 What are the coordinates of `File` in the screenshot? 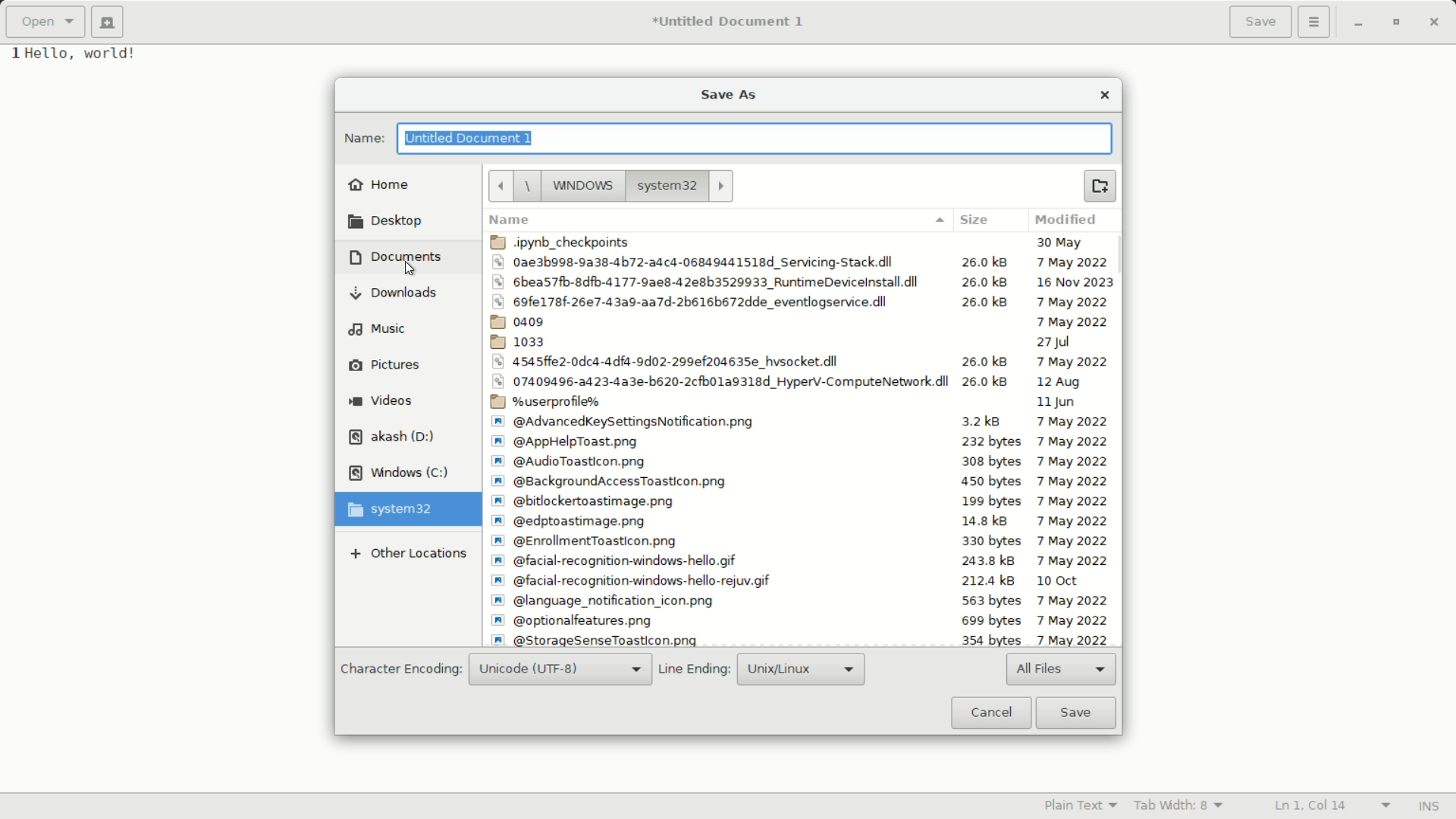 It's located at (797, 639).